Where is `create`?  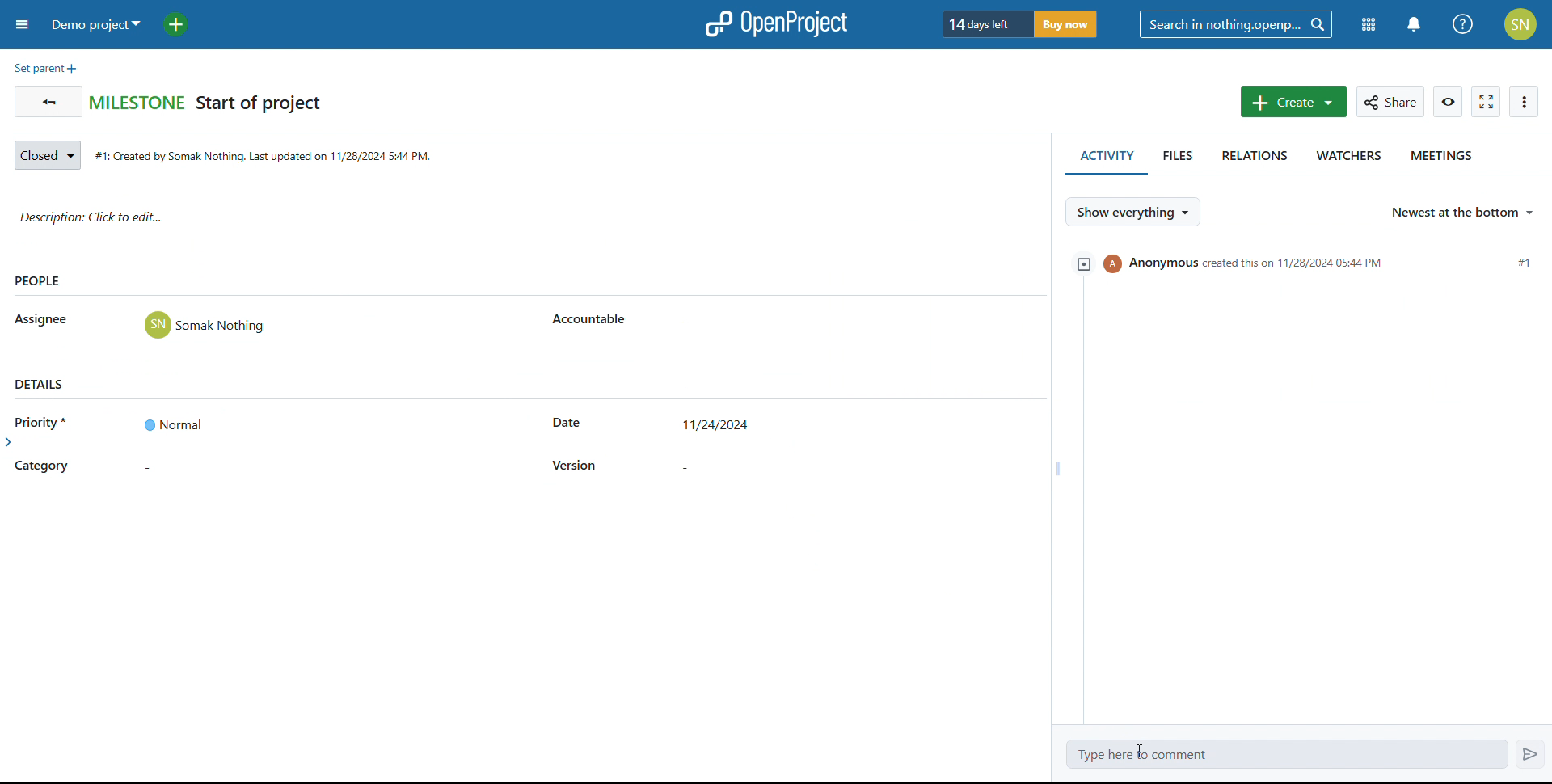
create is located at coordinates (1294, 101).